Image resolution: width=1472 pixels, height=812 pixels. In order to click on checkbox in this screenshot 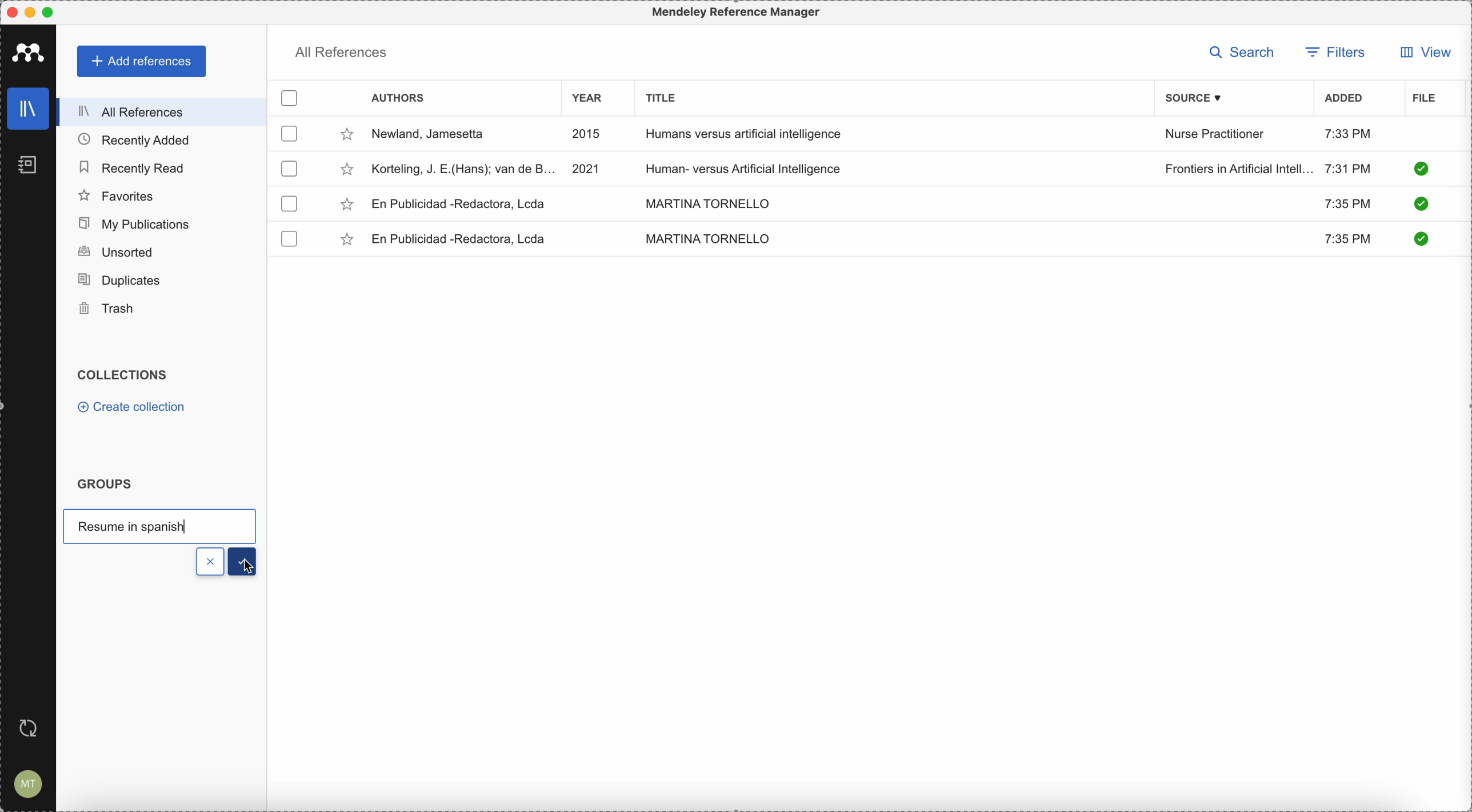, I will do `click(287, 168)`.